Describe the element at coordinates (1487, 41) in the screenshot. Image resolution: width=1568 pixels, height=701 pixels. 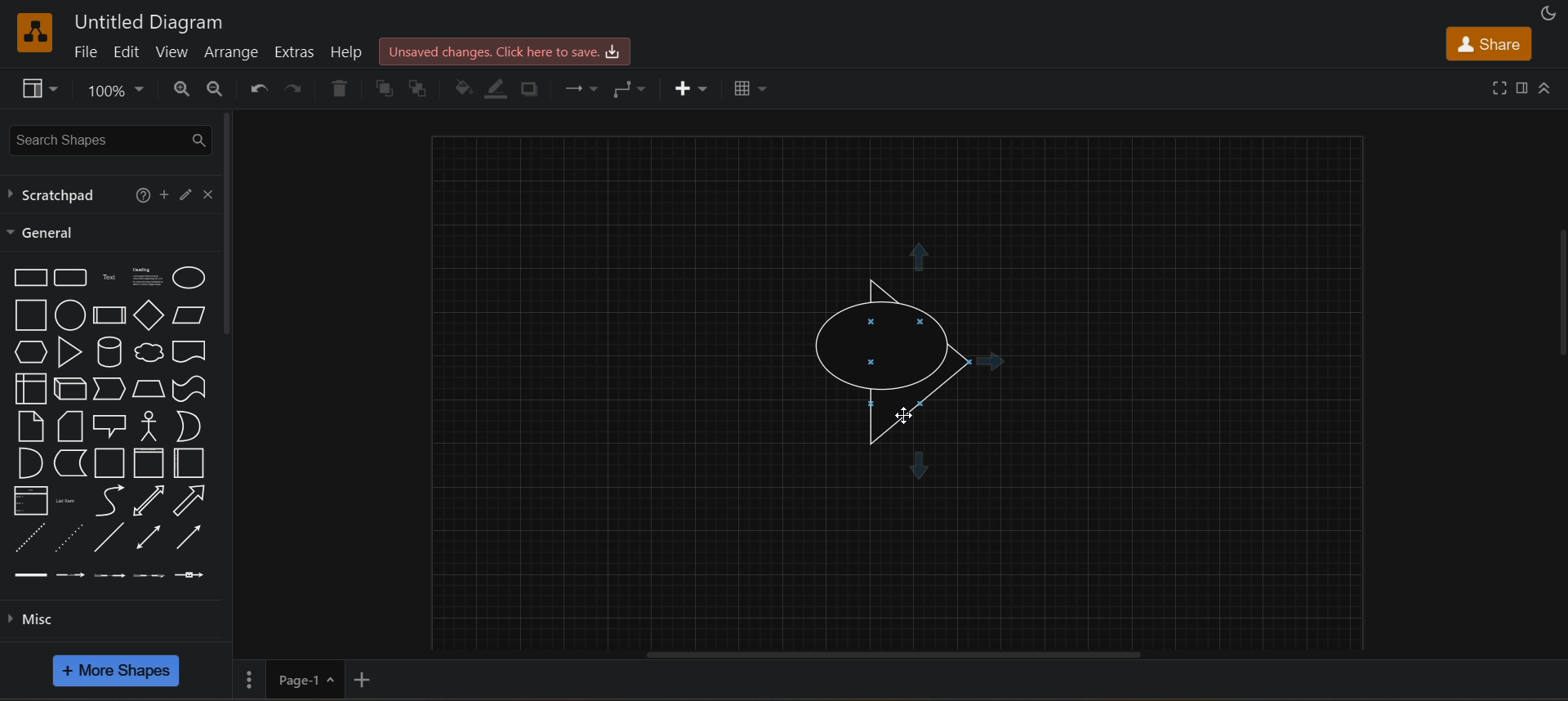
I see `share` at that location.